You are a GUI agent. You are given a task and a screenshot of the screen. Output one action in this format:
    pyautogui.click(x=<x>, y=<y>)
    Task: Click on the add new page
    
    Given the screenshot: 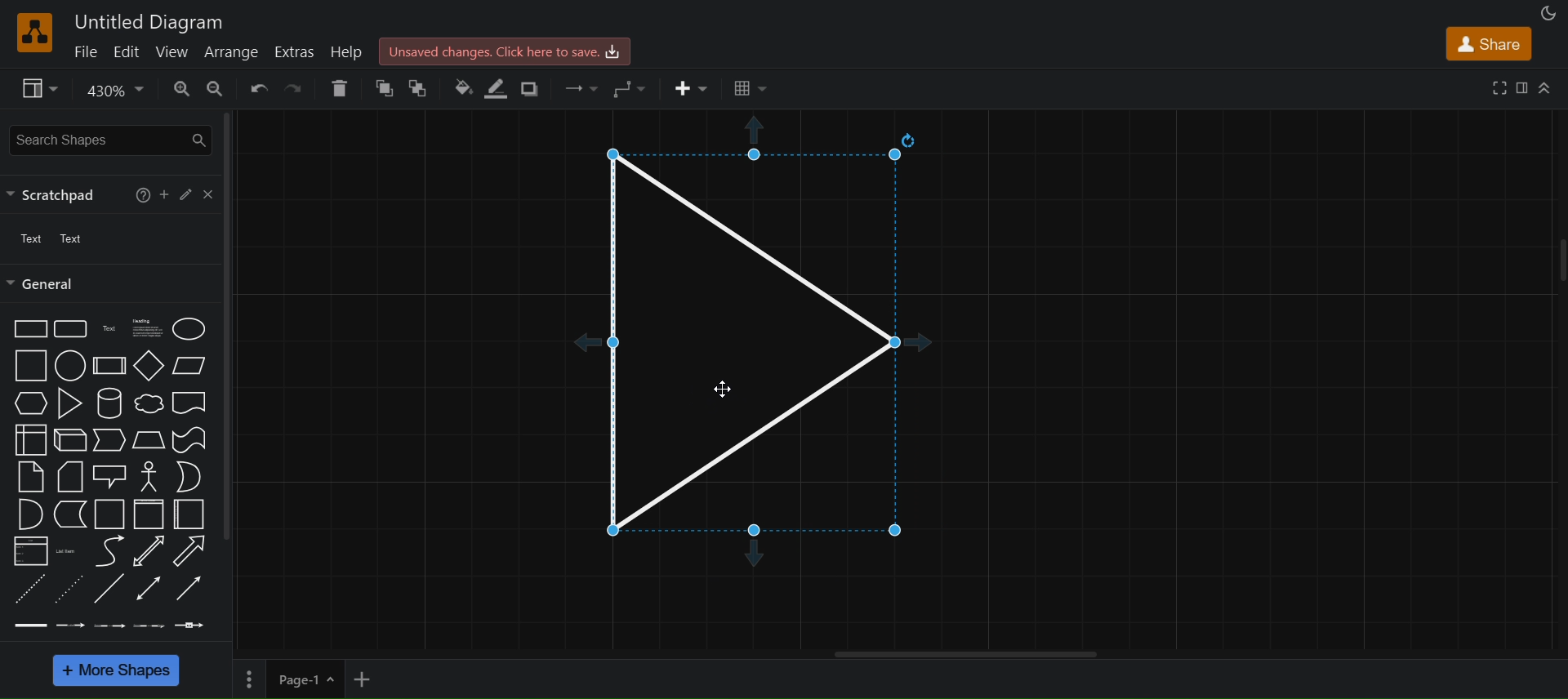 What is the action you would take?
    pyautogui.click(x=375, y=678)
    